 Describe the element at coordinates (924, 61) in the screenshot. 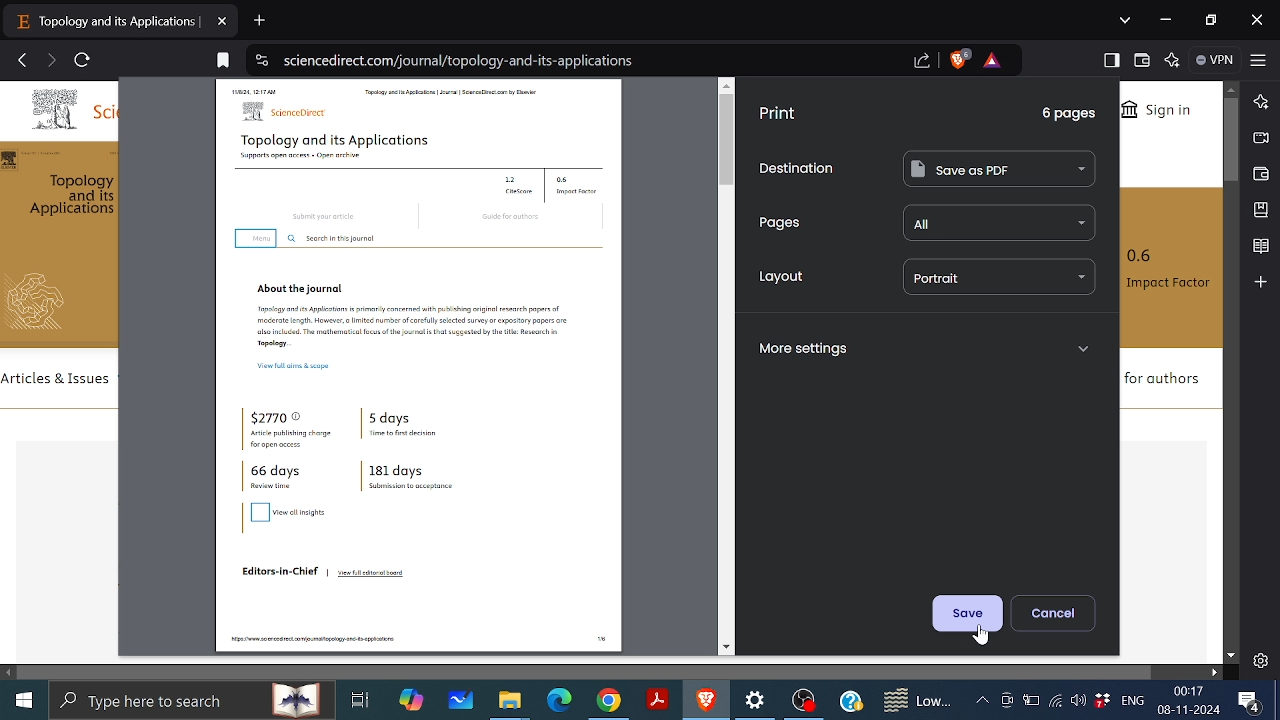

I see `share this page` at that location.